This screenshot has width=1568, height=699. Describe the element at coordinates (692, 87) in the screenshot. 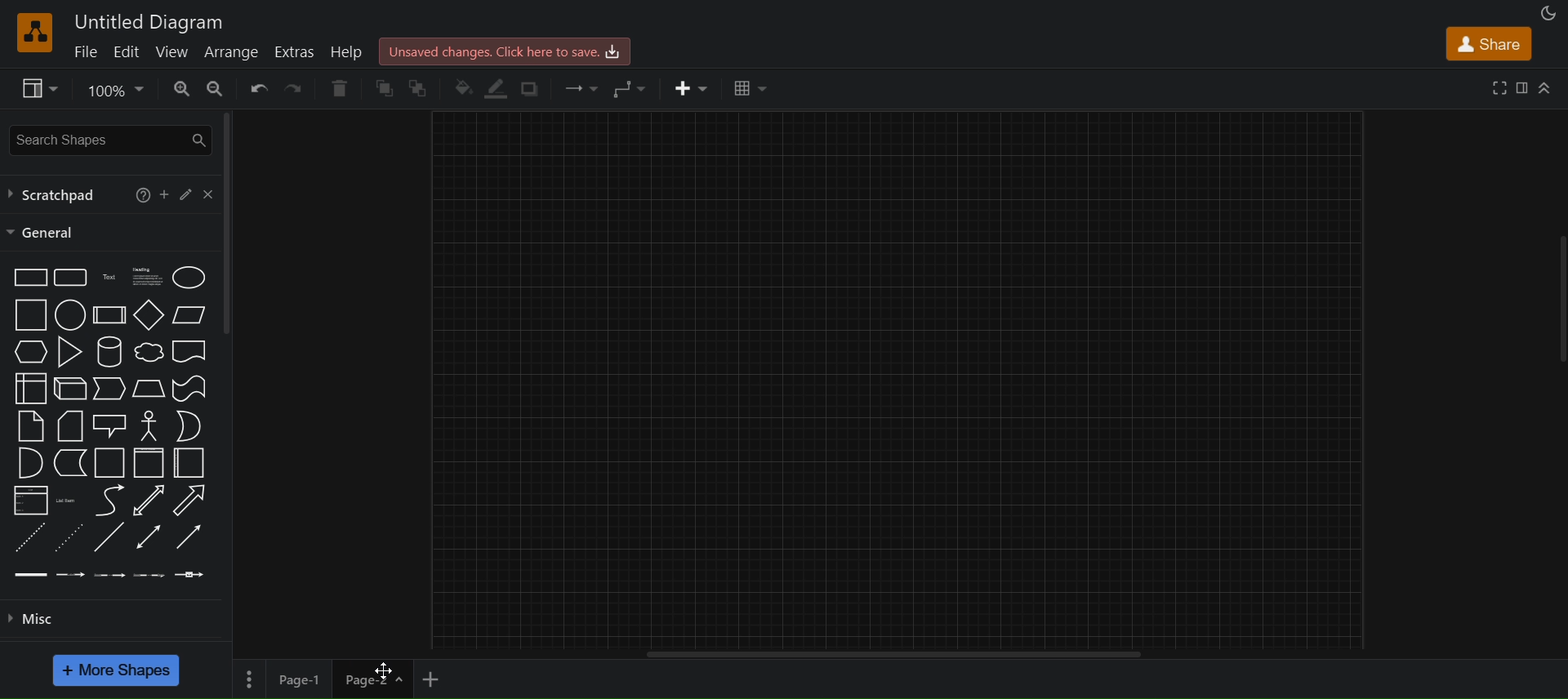

I see `insert` at that location.